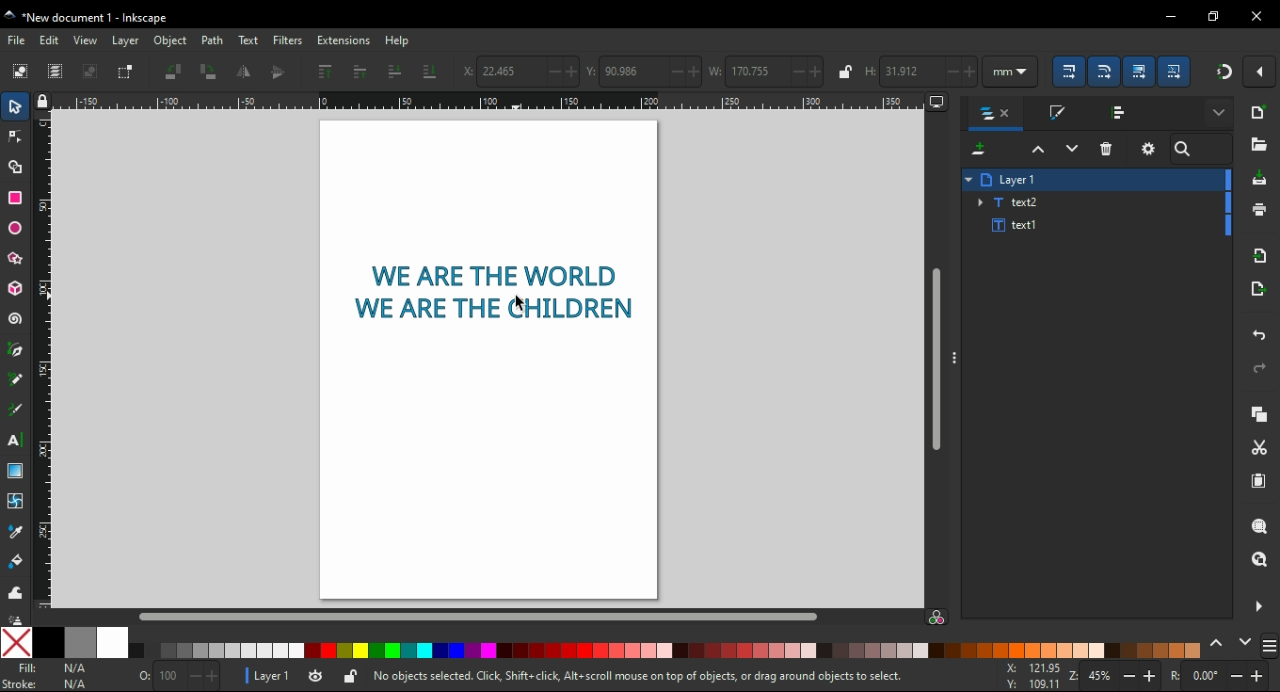  I want to click on previous, so click(1218, 647).